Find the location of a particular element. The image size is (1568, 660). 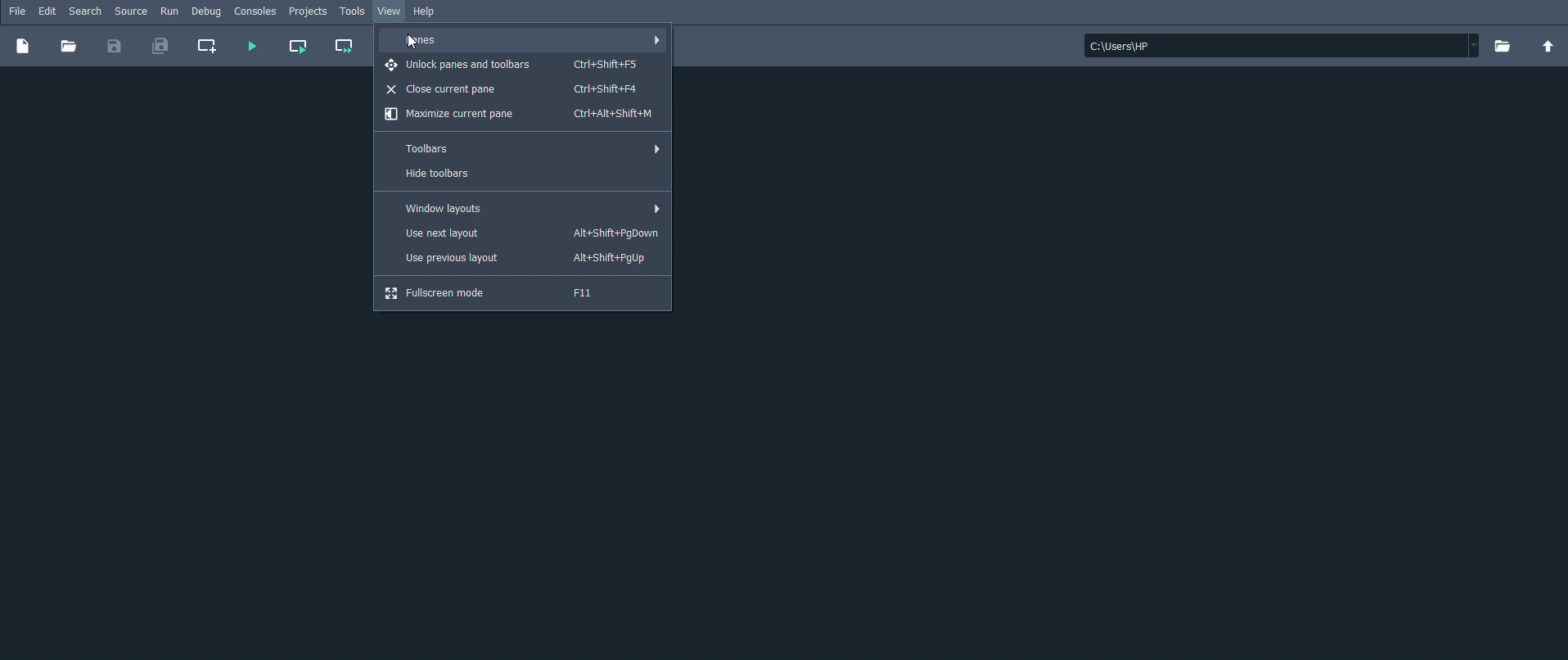

Search is located at coordinates (86, 11).